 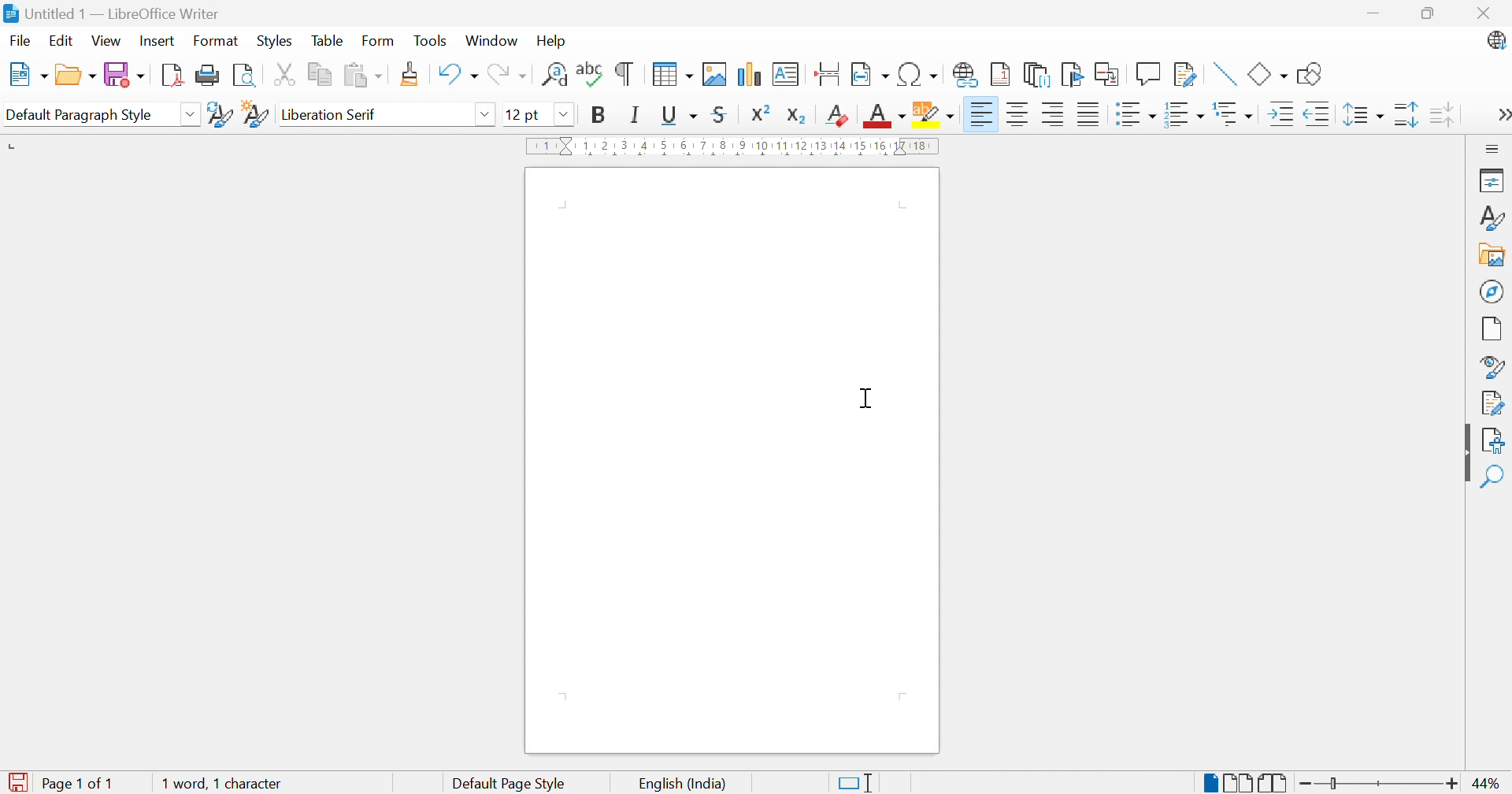 What do you see at coordinates (28, 72) in the screenshot?
I see `New` at bounding box center [28, 72].